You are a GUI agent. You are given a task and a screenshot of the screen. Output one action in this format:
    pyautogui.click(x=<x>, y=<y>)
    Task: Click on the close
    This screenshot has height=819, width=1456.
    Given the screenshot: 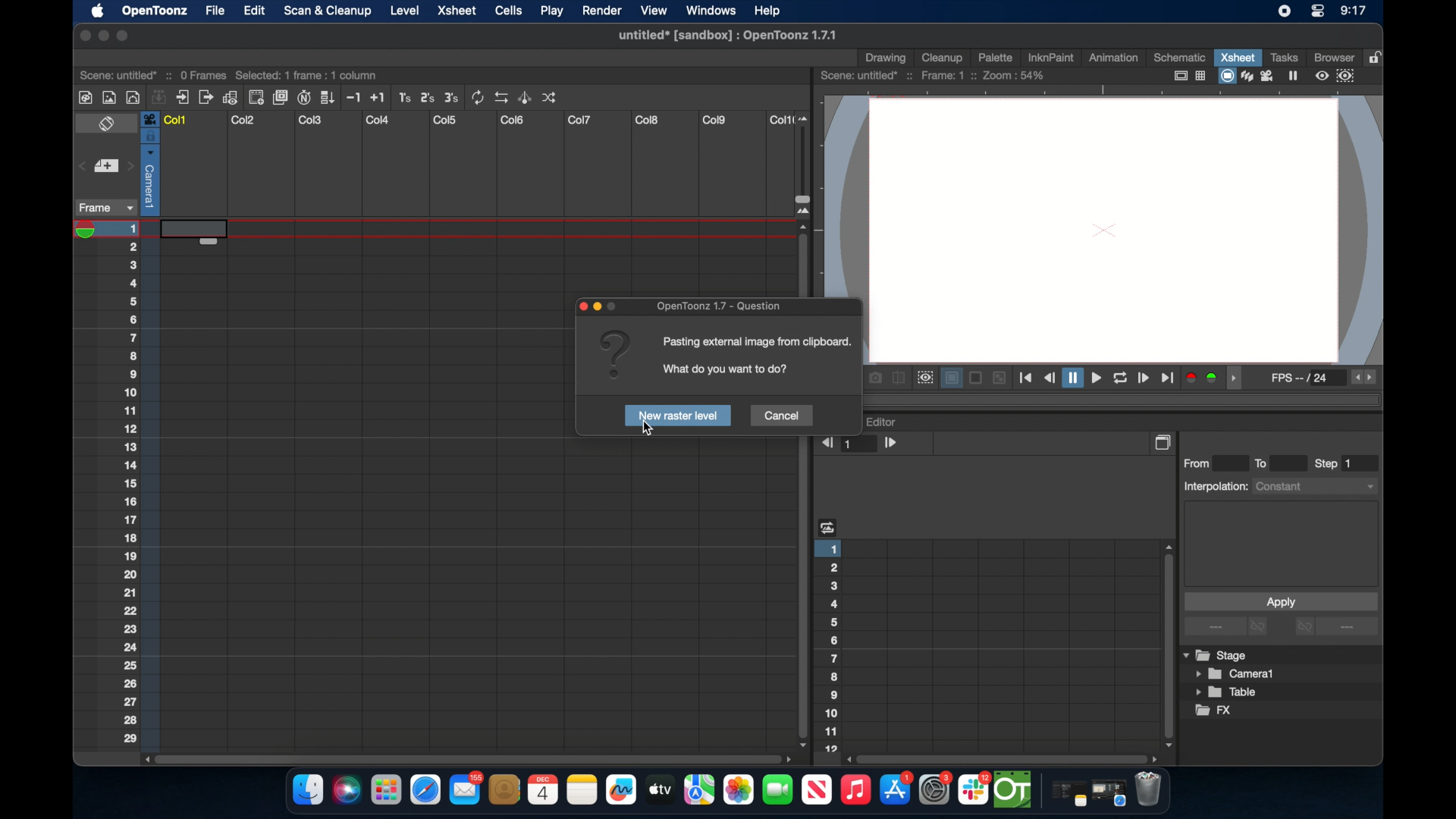 What is the action you would take?
    pyautogui.click(x=82, y=36)
    